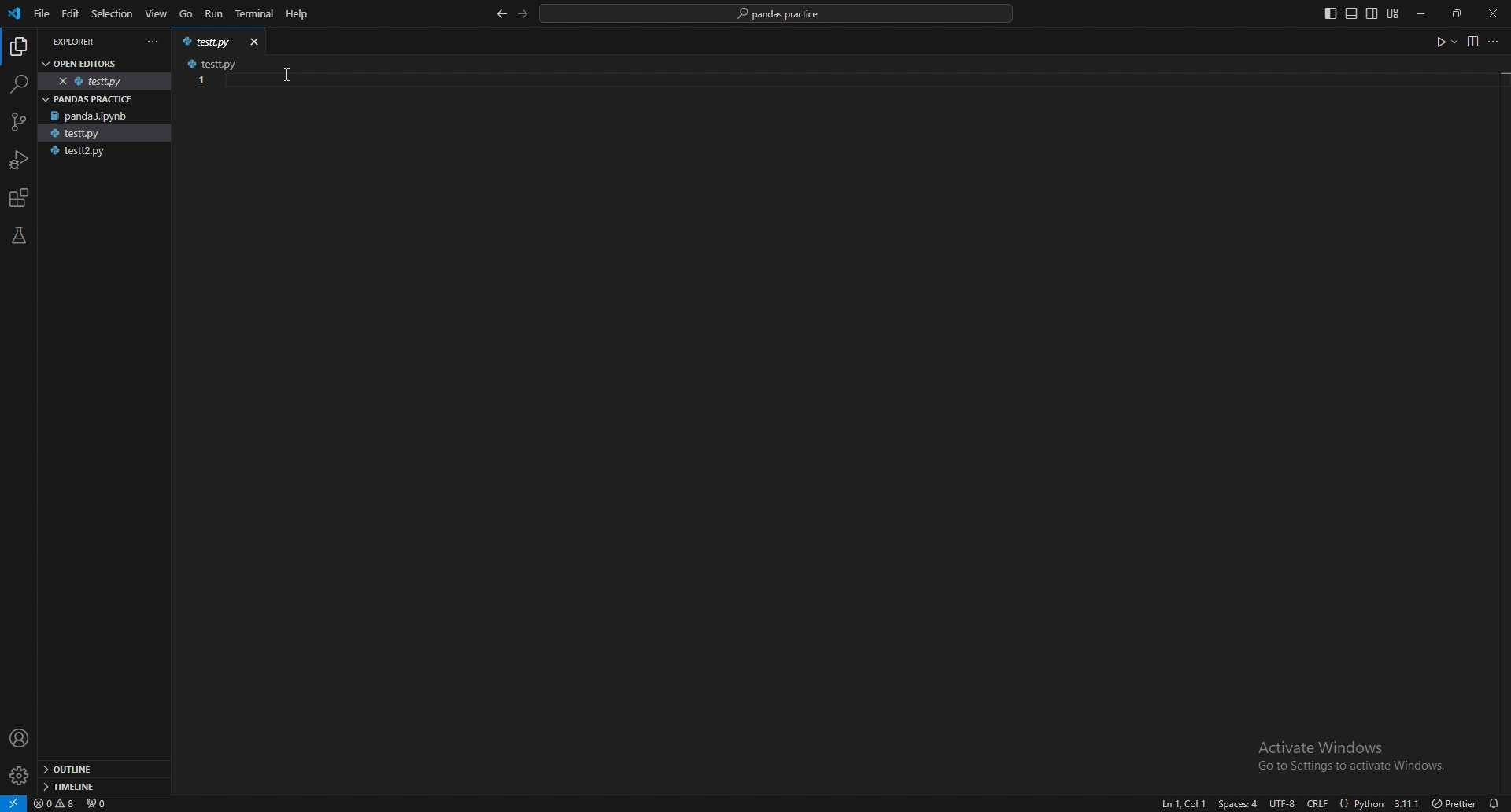  What do you see at coordinates (95, 80) in the screenshot?
I see `testt.py` at bounding box center [95, 80].